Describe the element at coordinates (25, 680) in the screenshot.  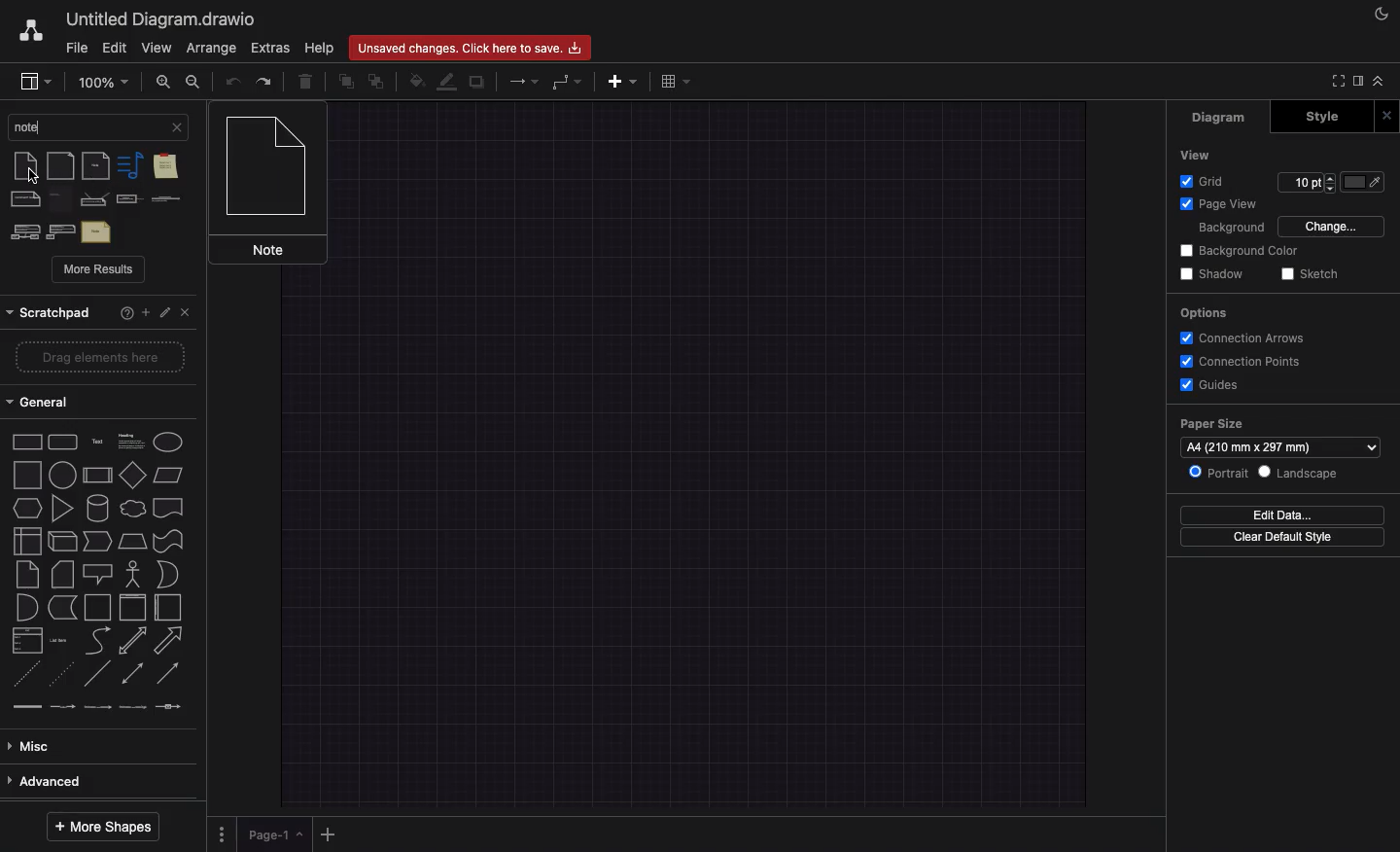
I see `dashed` at that location.